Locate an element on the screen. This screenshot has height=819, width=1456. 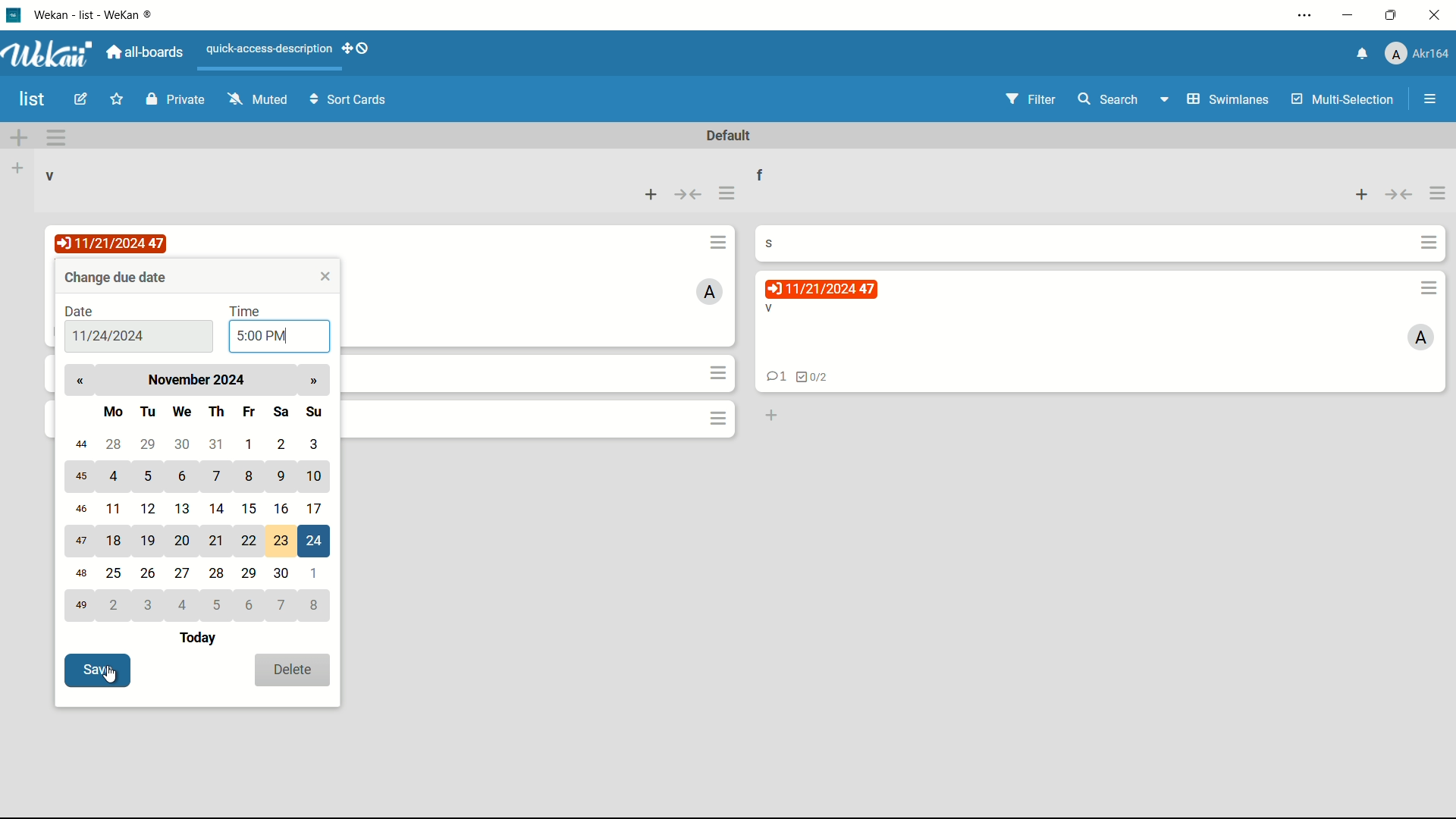
29 is located at coordinates (250, 574).